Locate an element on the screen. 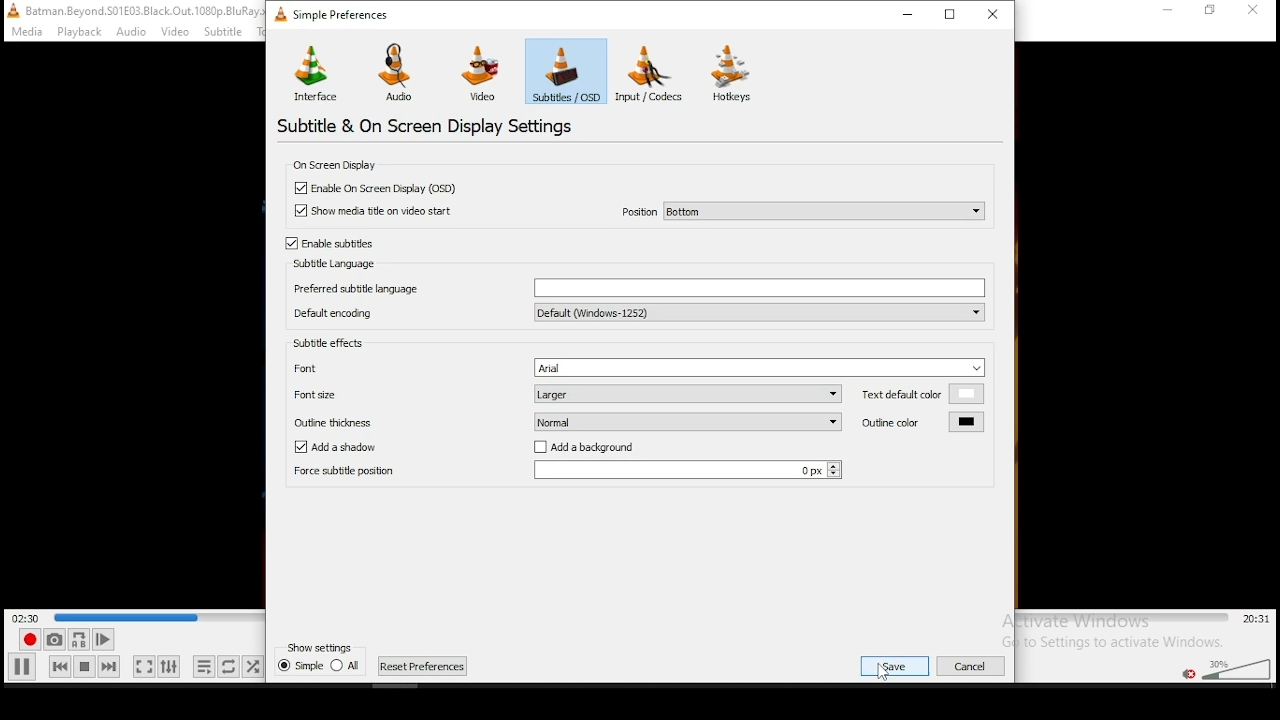 This screenshot has height=720, width=1280. video is located at coordinates (175, 33).